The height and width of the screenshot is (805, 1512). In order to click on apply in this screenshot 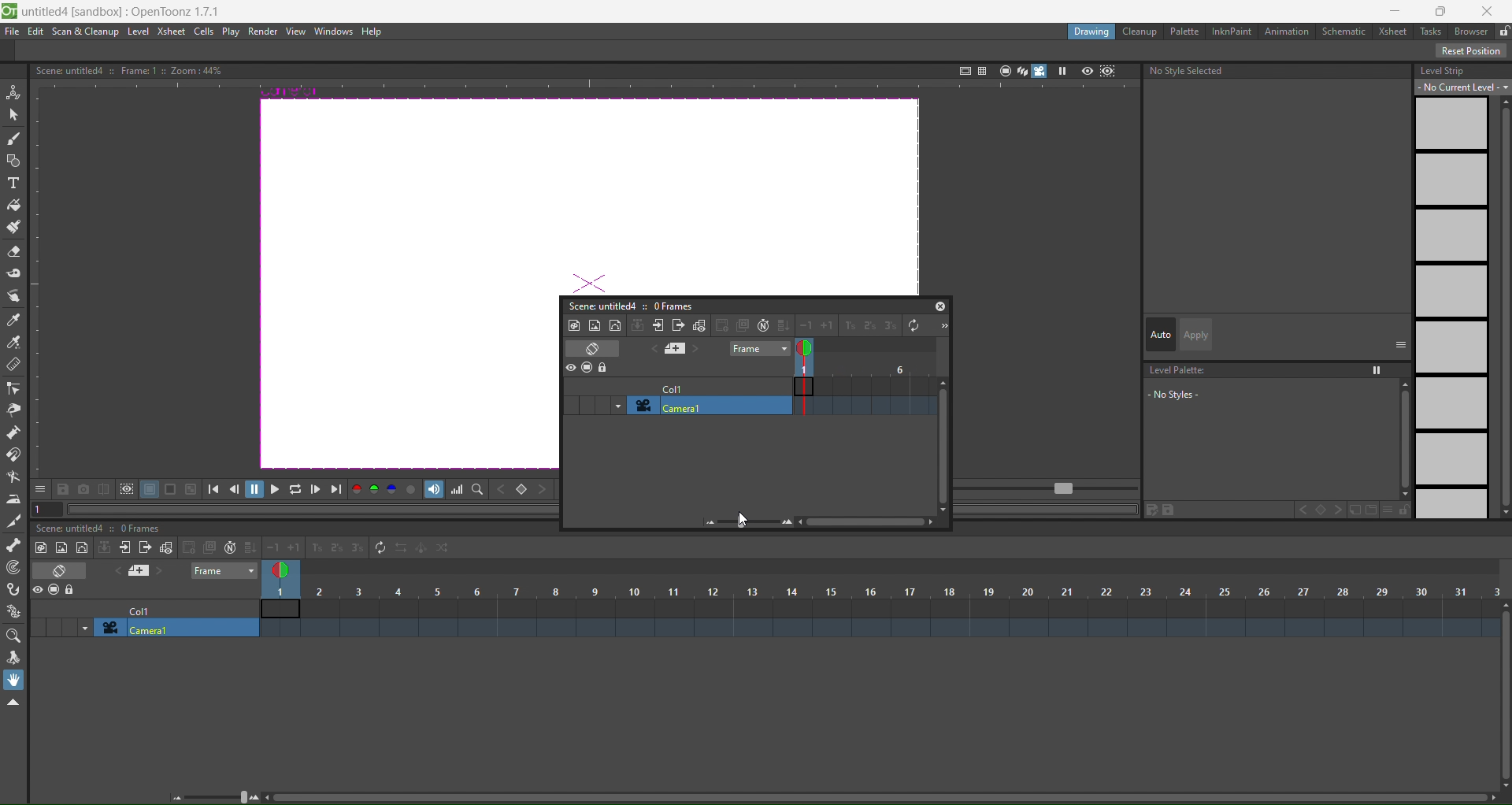, I will do `click(1195, 335)`.